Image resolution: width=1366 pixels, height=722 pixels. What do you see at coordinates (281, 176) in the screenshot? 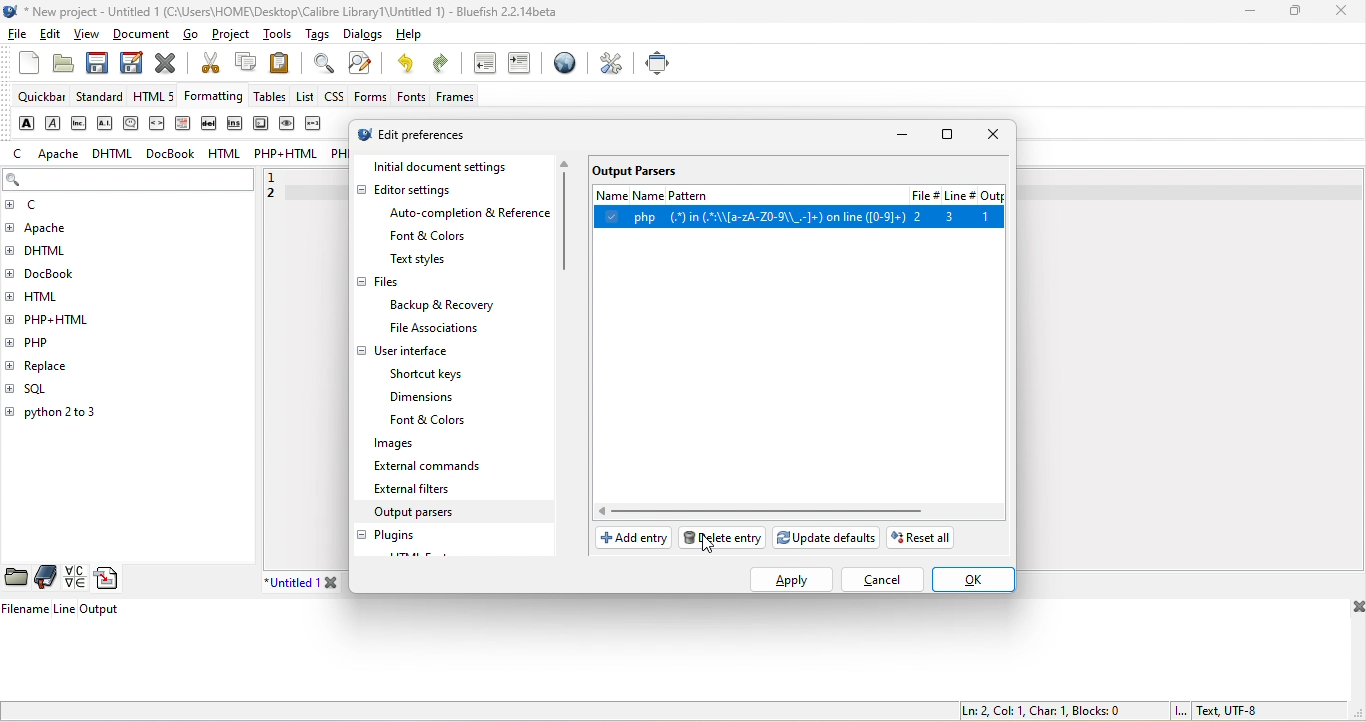
I see `1` at bounding box center [281, 176].